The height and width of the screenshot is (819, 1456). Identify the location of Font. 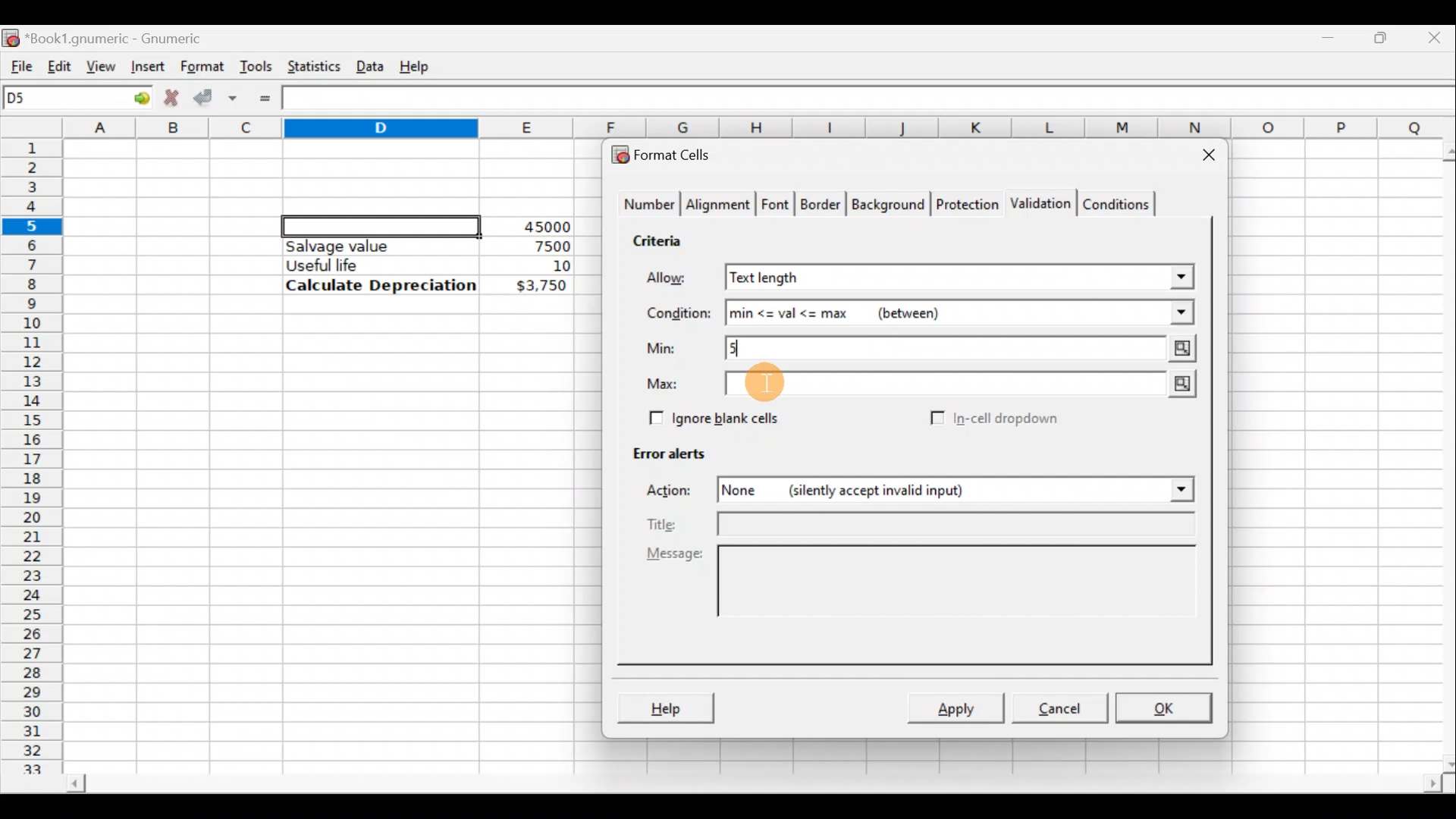
(777, 206).